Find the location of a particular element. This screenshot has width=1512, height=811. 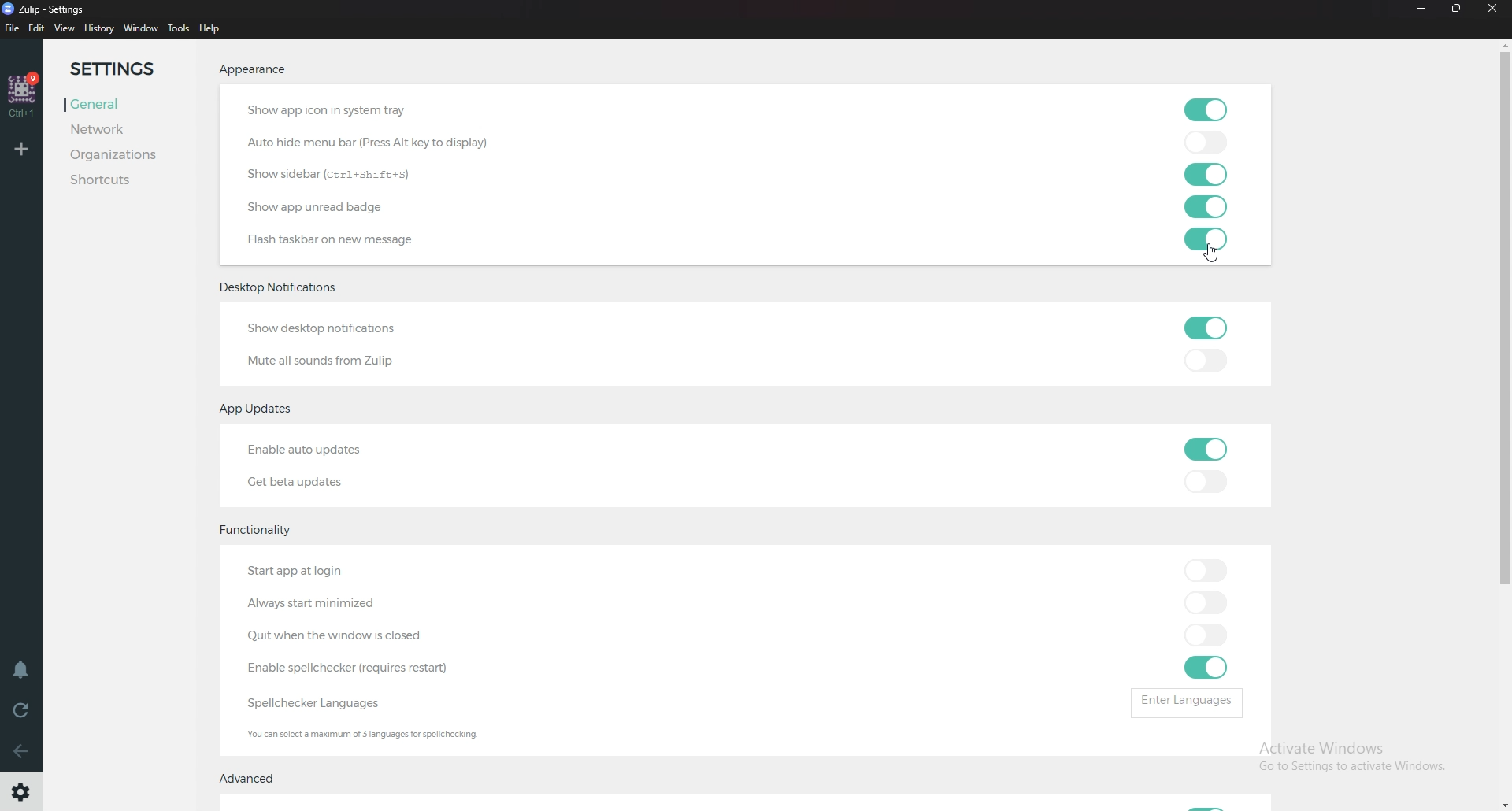

info is located at coordinates (384, 736).